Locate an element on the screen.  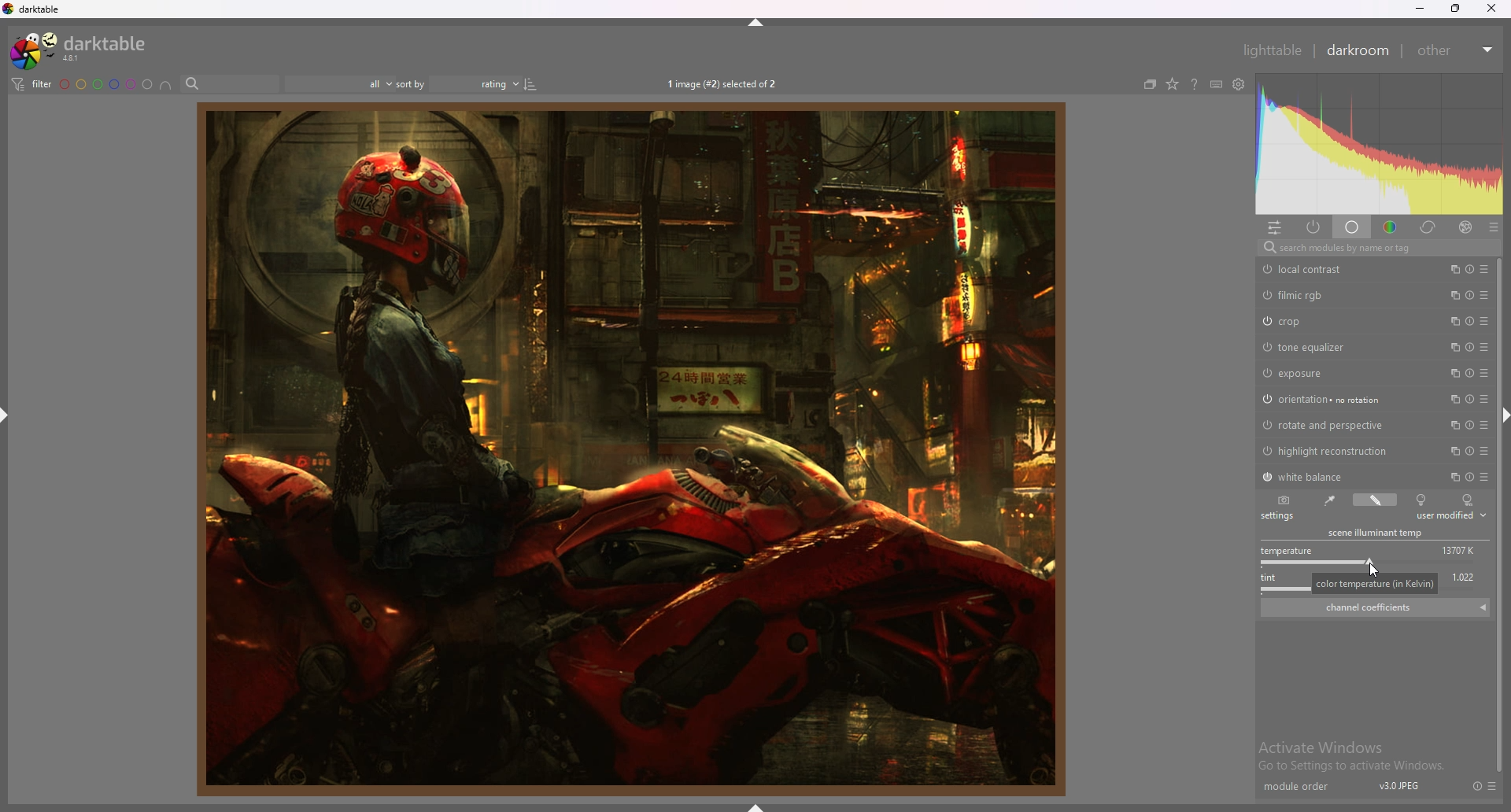
keyboard shortcuts is located at coordinates (1216, 85).